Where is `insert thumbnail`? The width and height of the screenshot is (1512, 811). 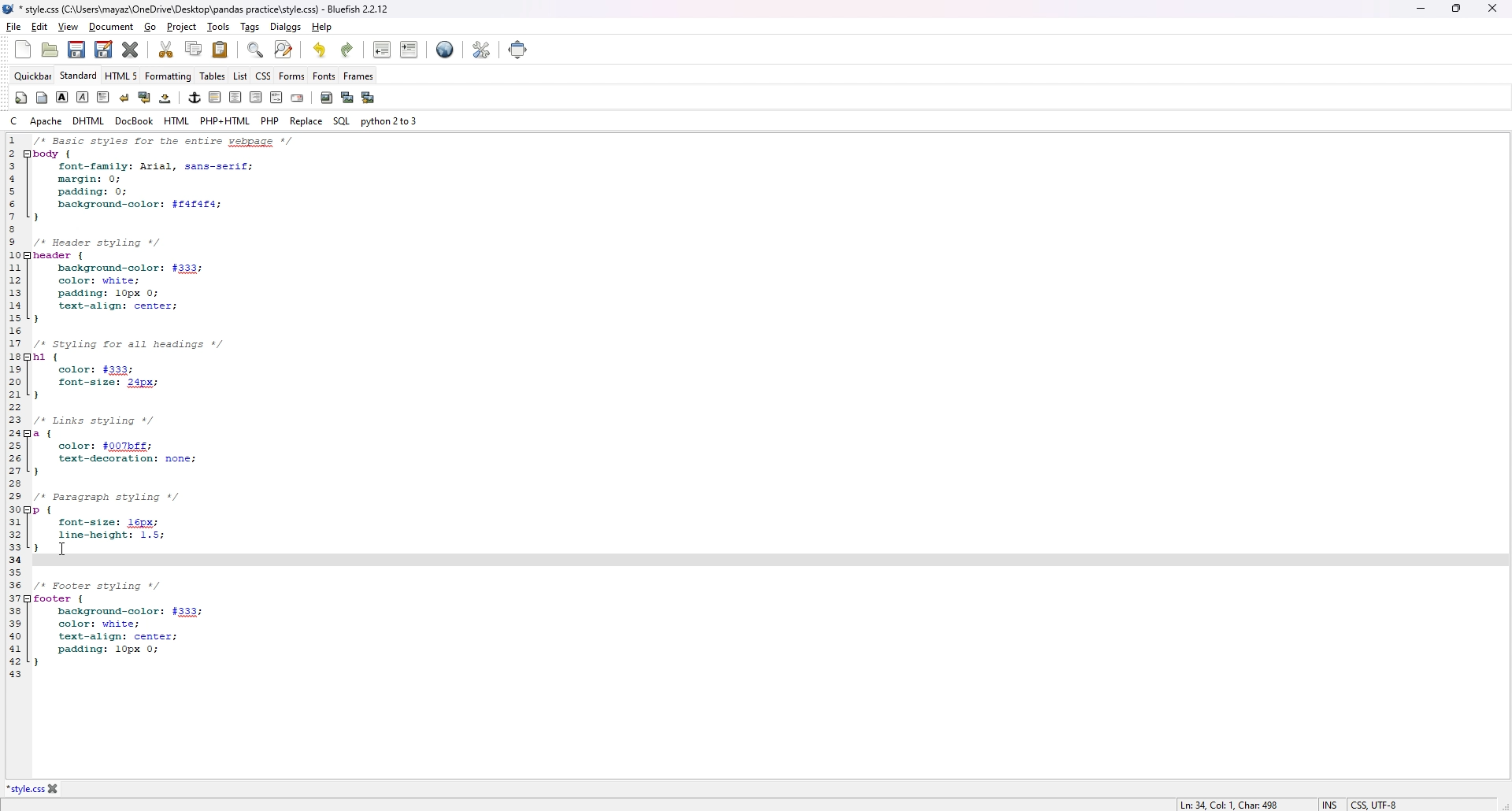
insert thumbnail is located at coordinates (347, 98).